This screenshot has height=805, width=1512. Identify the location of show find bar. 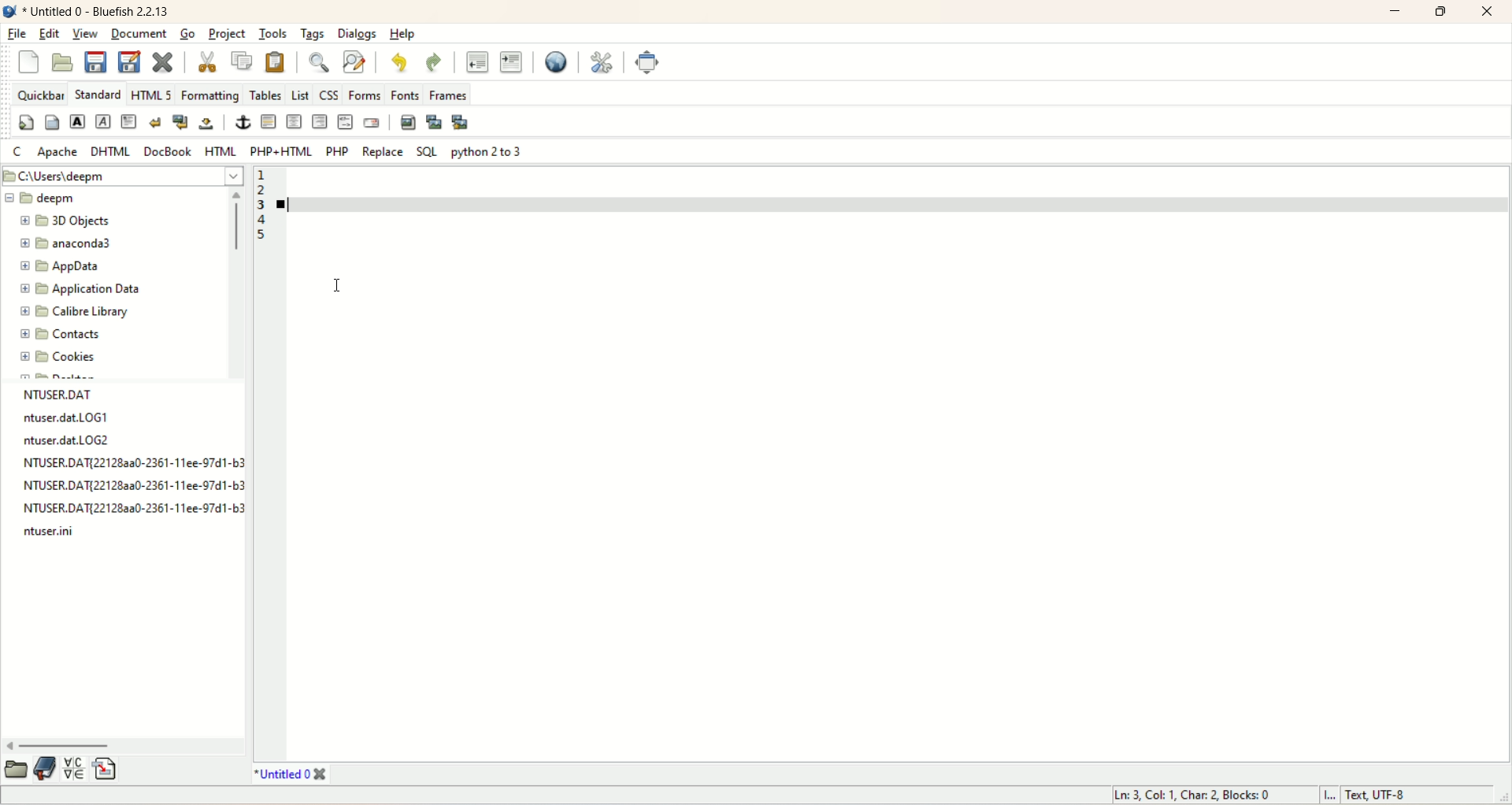
(317, 61).